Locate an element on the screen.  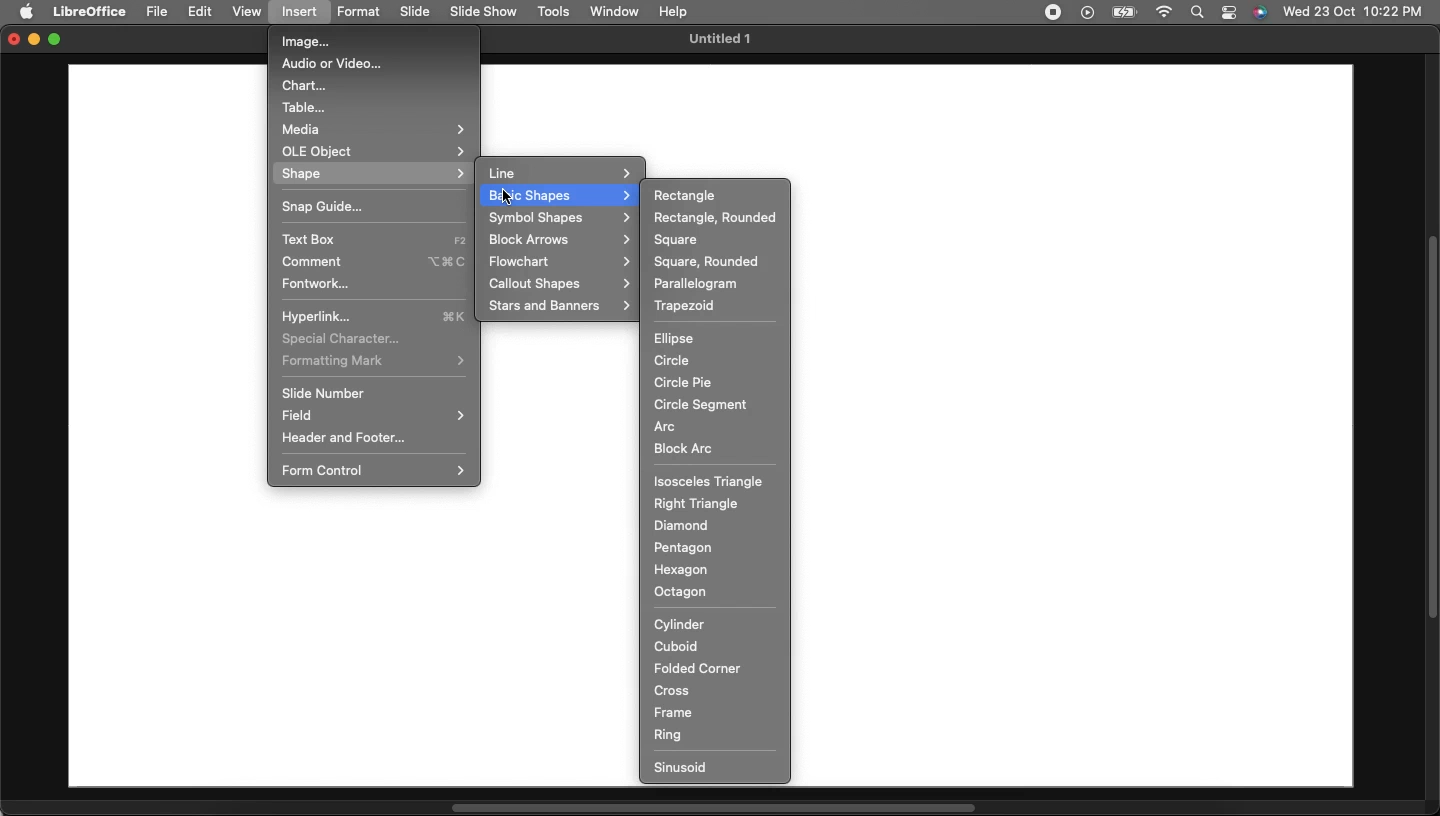
Arc is located at coordinates (665, 426).